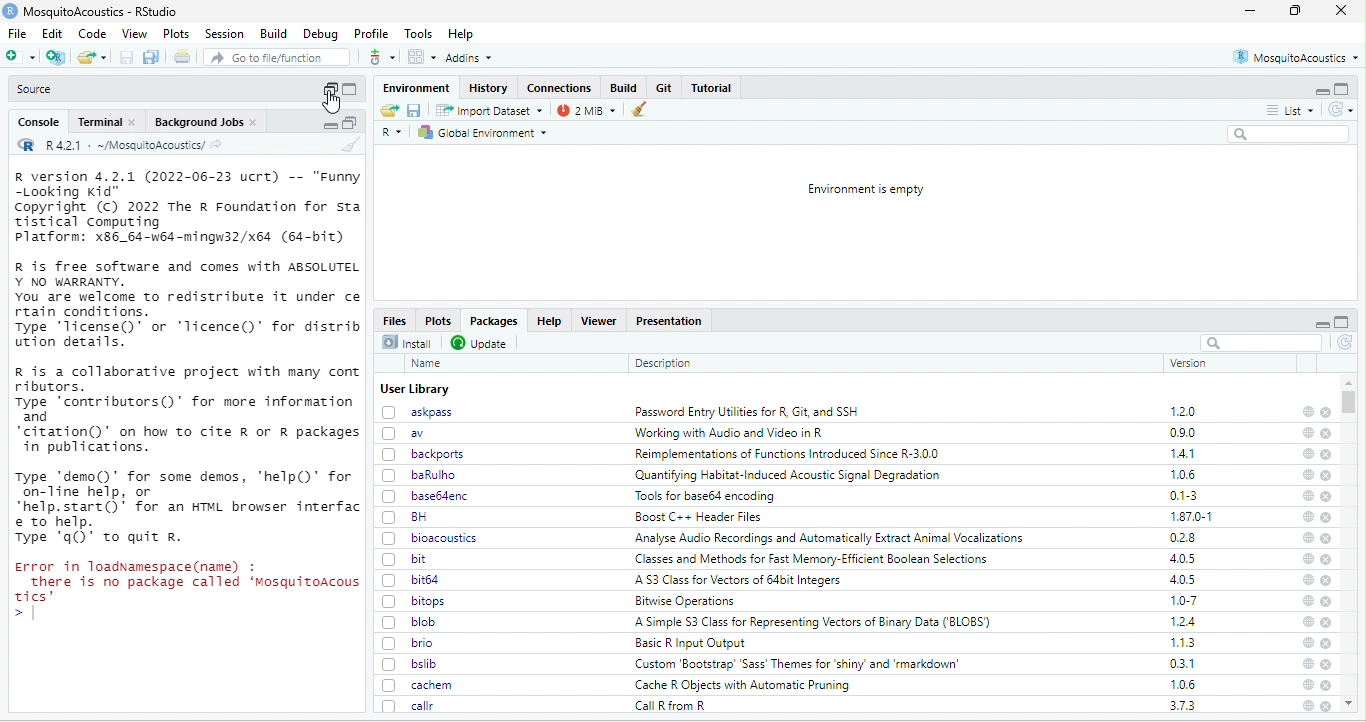 The height and width of the screenshot is (722, 1366). I want to click on BH, so click(408, 516).